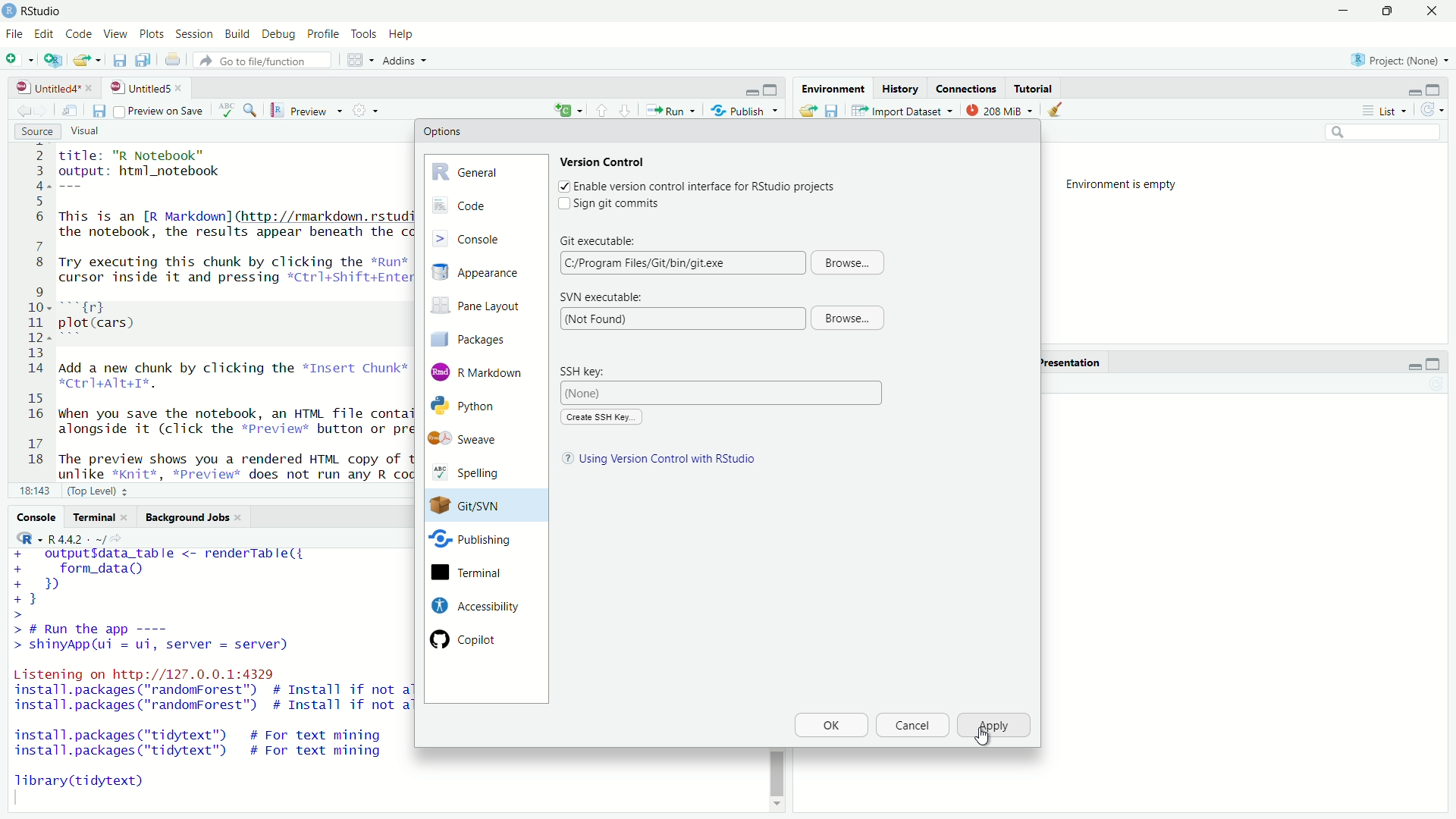 This screenshot has width=1456, height=819. Describe the element at coordinates (626, 109) in the screenshot. I see `up` at that location.